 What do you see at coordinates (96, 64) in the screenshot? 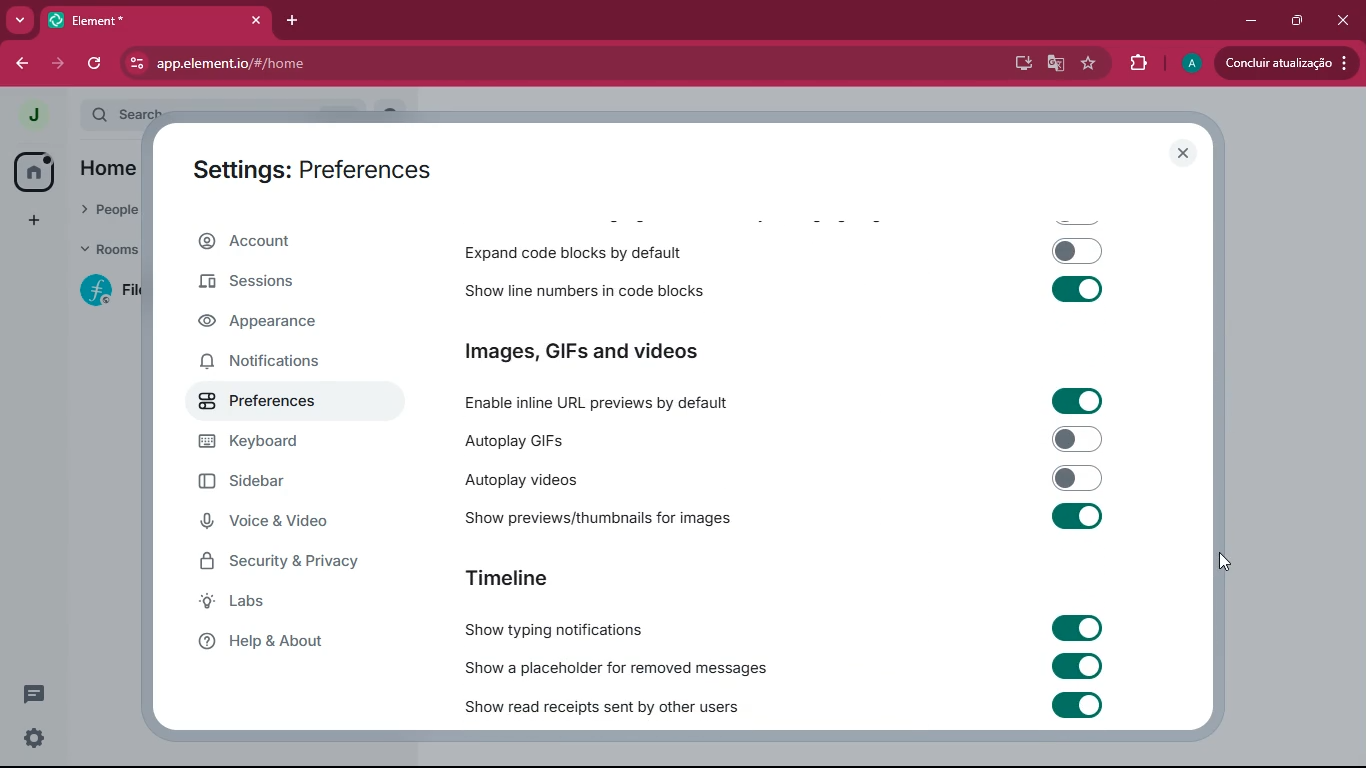
I see `refresh` at bounding box center [96, 64].